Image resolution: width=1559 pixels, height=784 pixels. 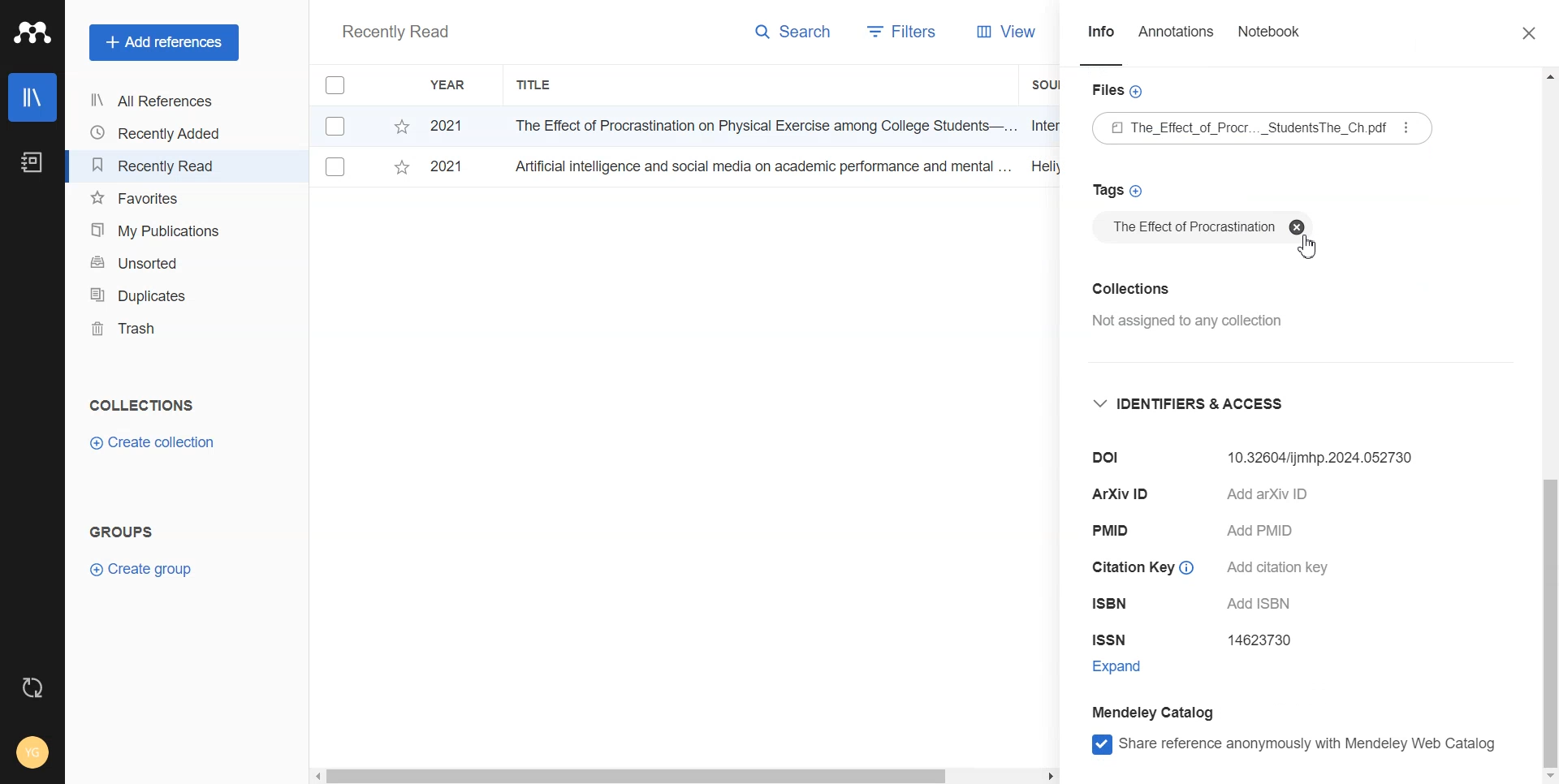 I want to click on Groups, so click(x=126, y=532).